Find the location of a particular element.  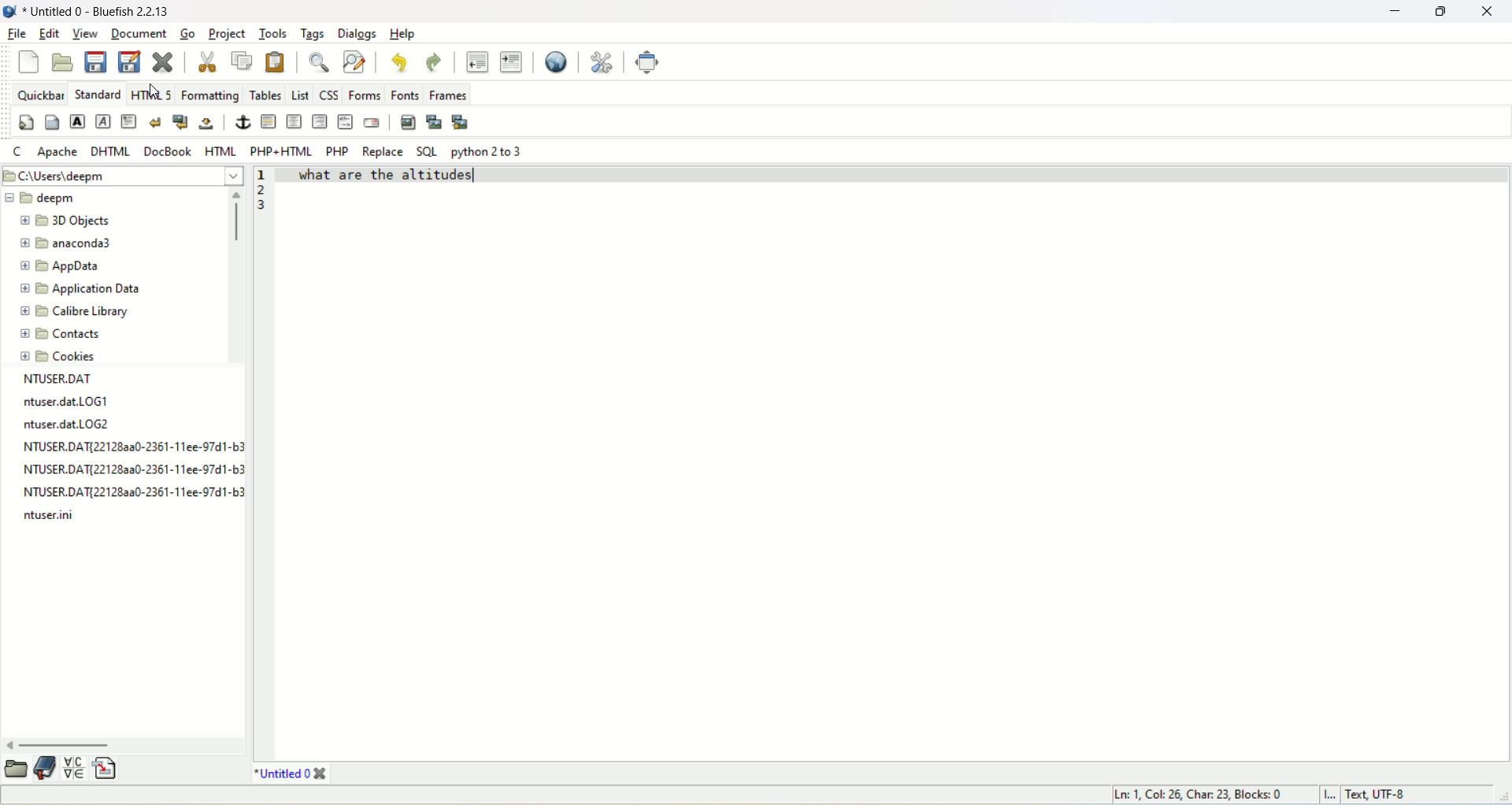

line number is located at coordinates (264, 192).